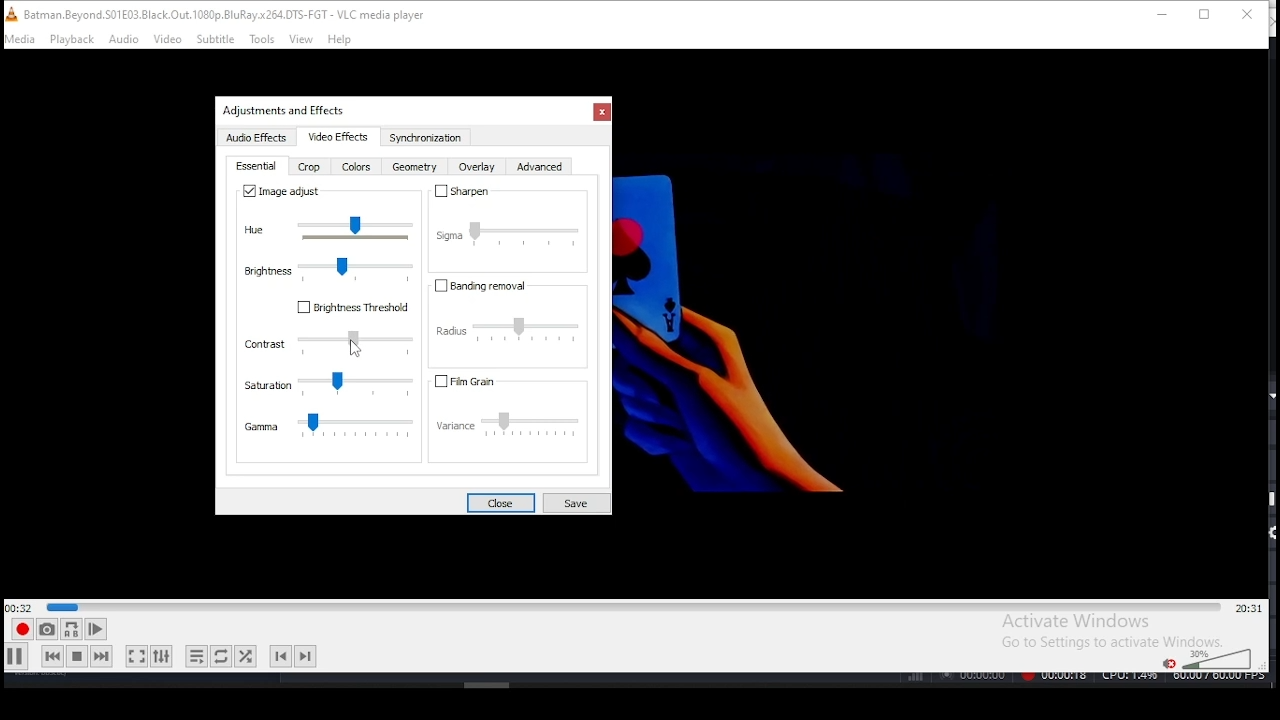 The width and height of the screenshot is (1280, 720). Describe the element at coordinates (540, 170) in the screenshot. I see `advanced` at that location.